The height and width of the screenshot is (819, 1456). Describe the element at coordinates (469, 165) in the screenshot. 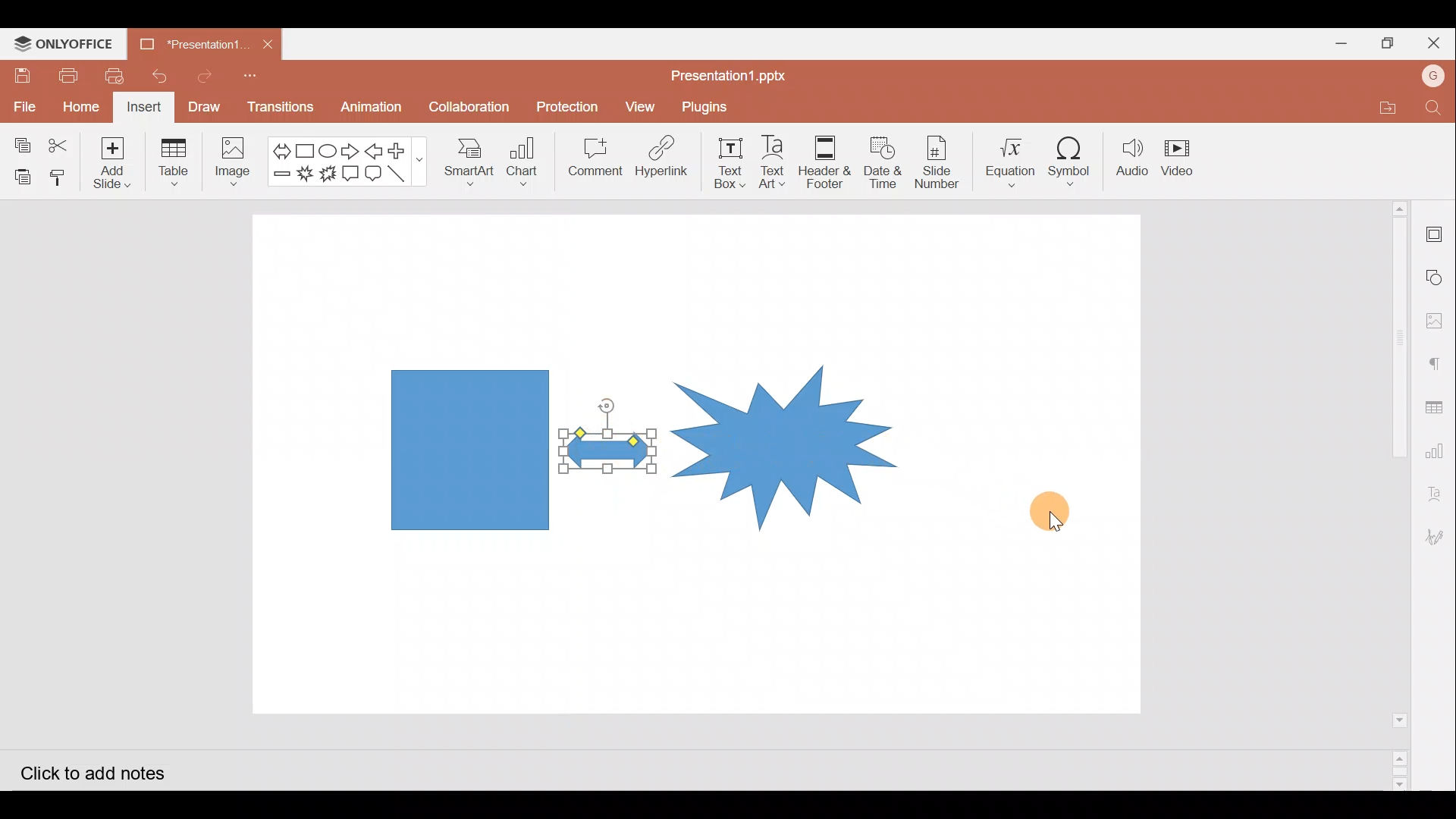

I see `SmartArt` at that location.